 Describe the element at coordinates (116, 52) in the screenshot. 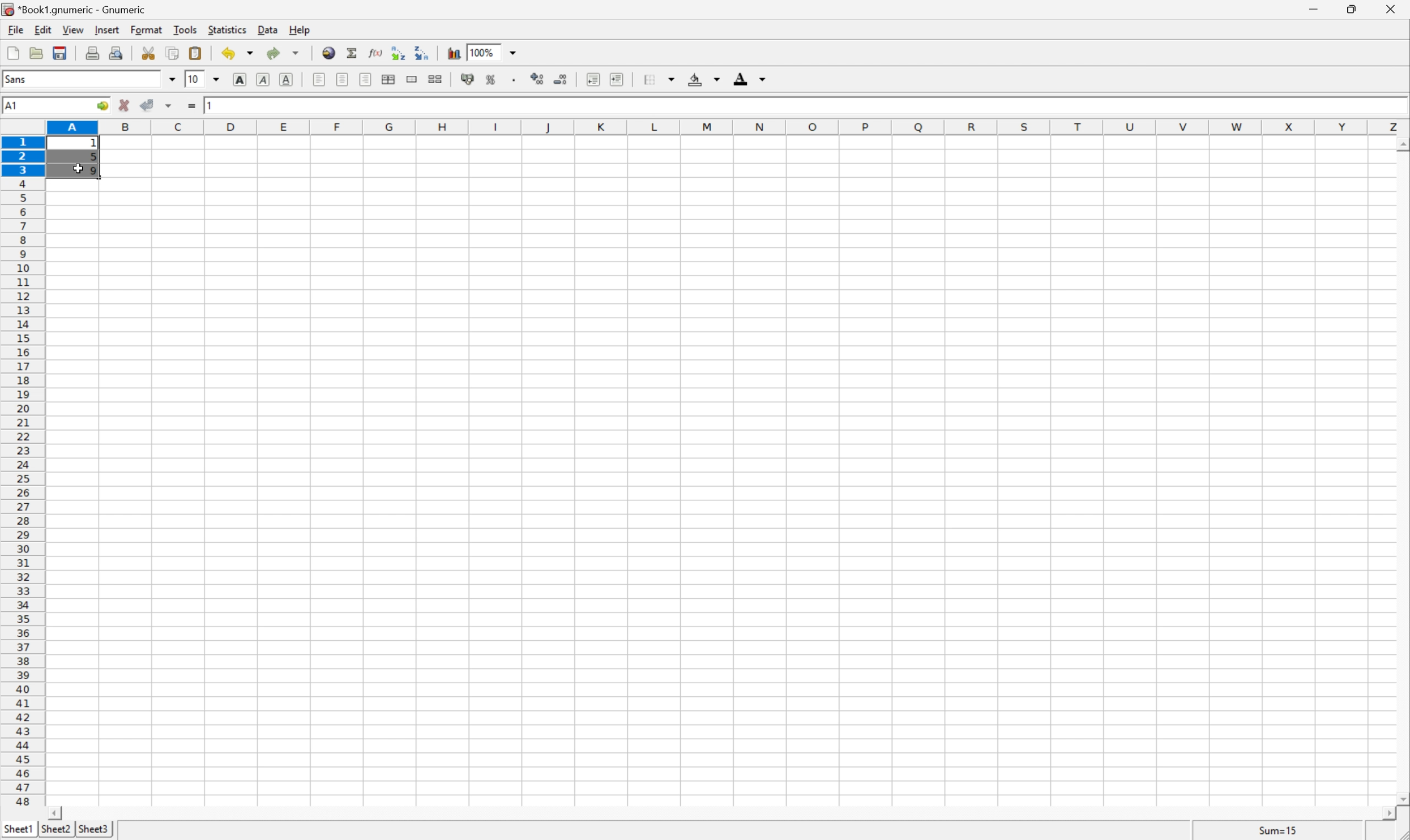

I see `print preview` at that location.